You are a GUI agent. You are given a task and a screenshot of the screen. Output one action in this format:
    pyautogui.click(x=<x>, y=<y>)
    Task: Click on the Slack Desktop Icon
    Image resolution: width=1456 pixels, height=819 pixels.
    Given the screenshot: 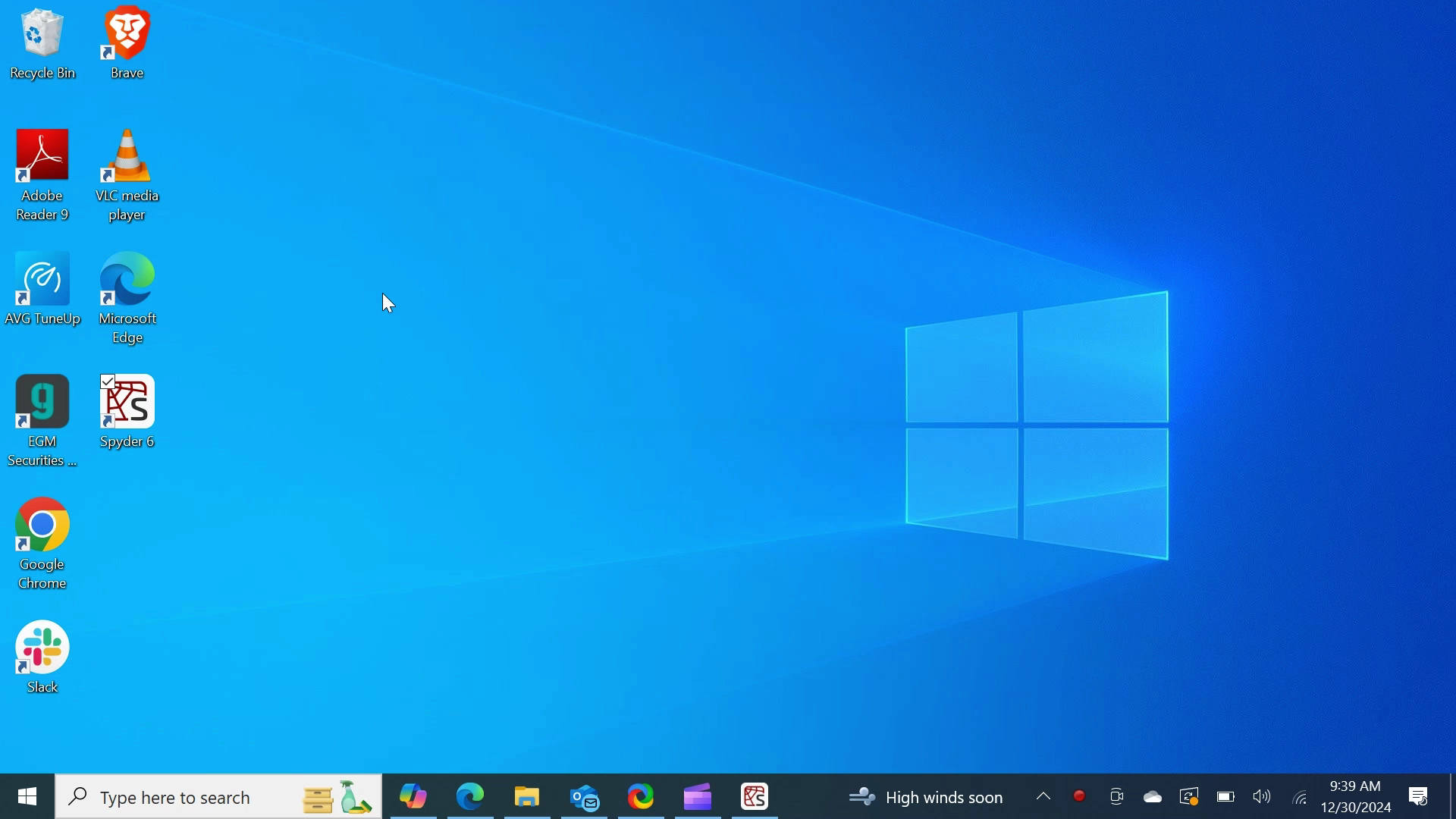 What is the action you would take?
    pyautogui.click(x=42, y=660)
    